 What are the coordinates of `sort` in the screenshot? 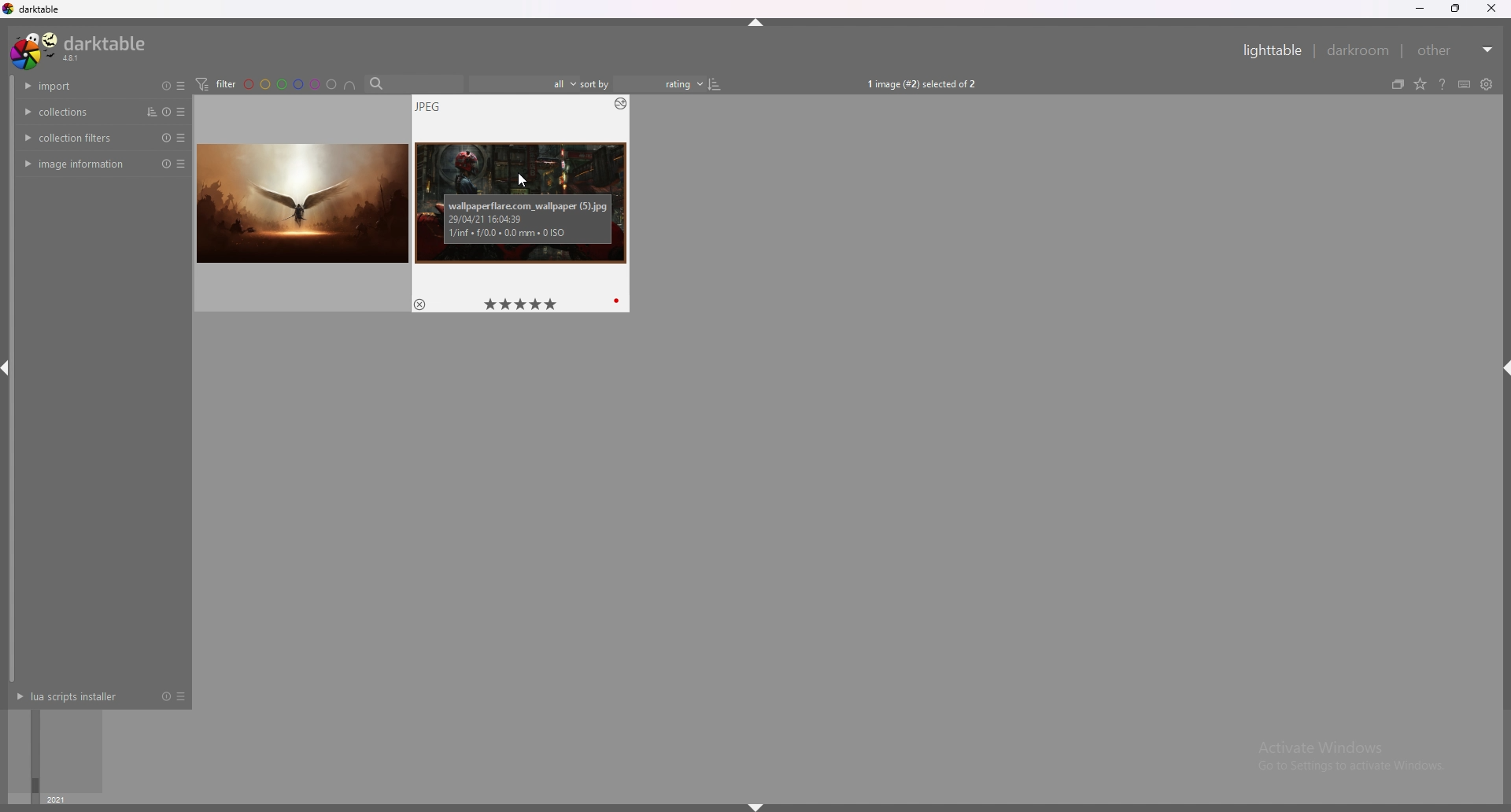 It's located at (151, 112).